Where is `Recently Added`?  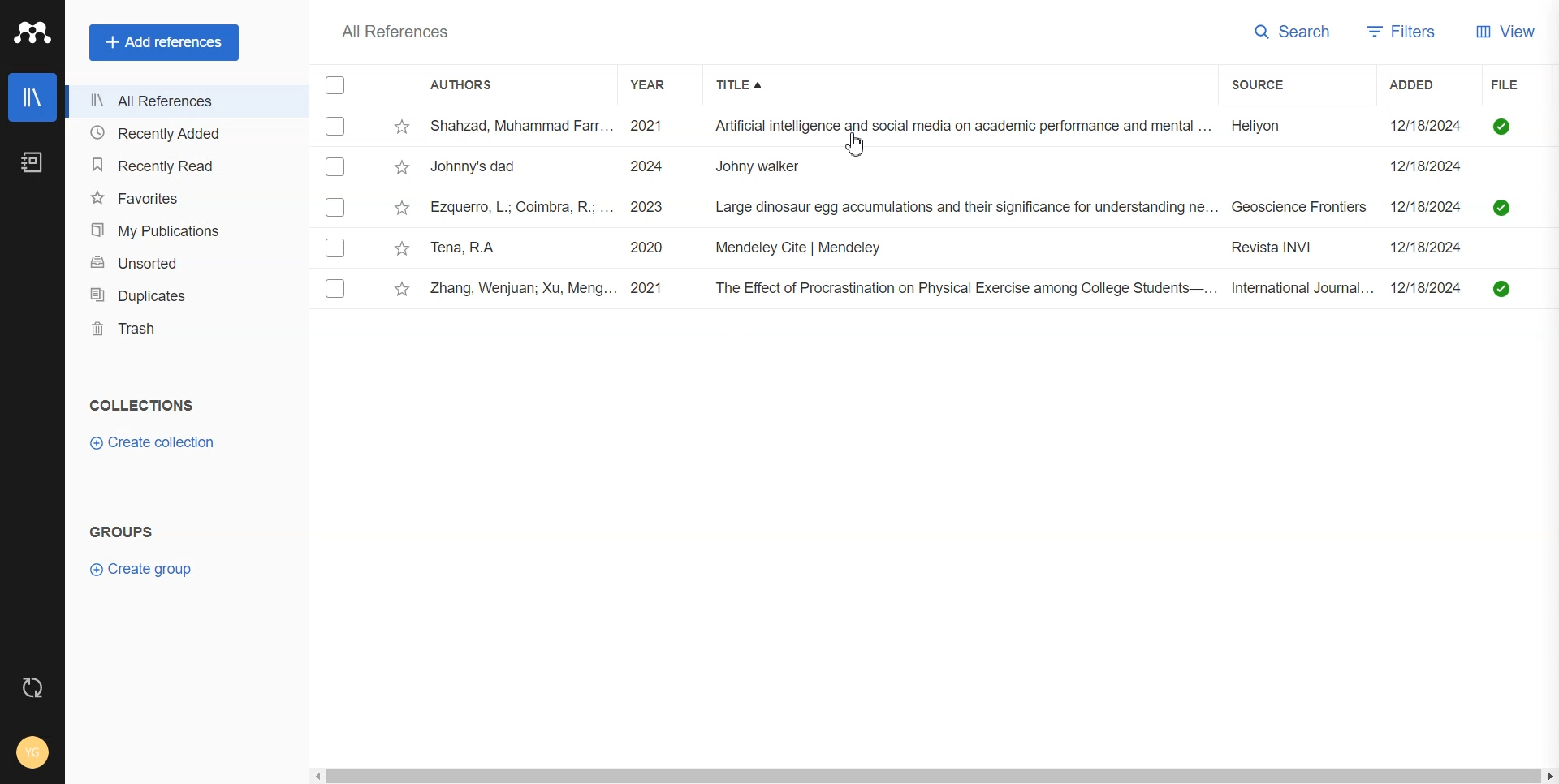 Recently Added is located at coordinates (173, 133).